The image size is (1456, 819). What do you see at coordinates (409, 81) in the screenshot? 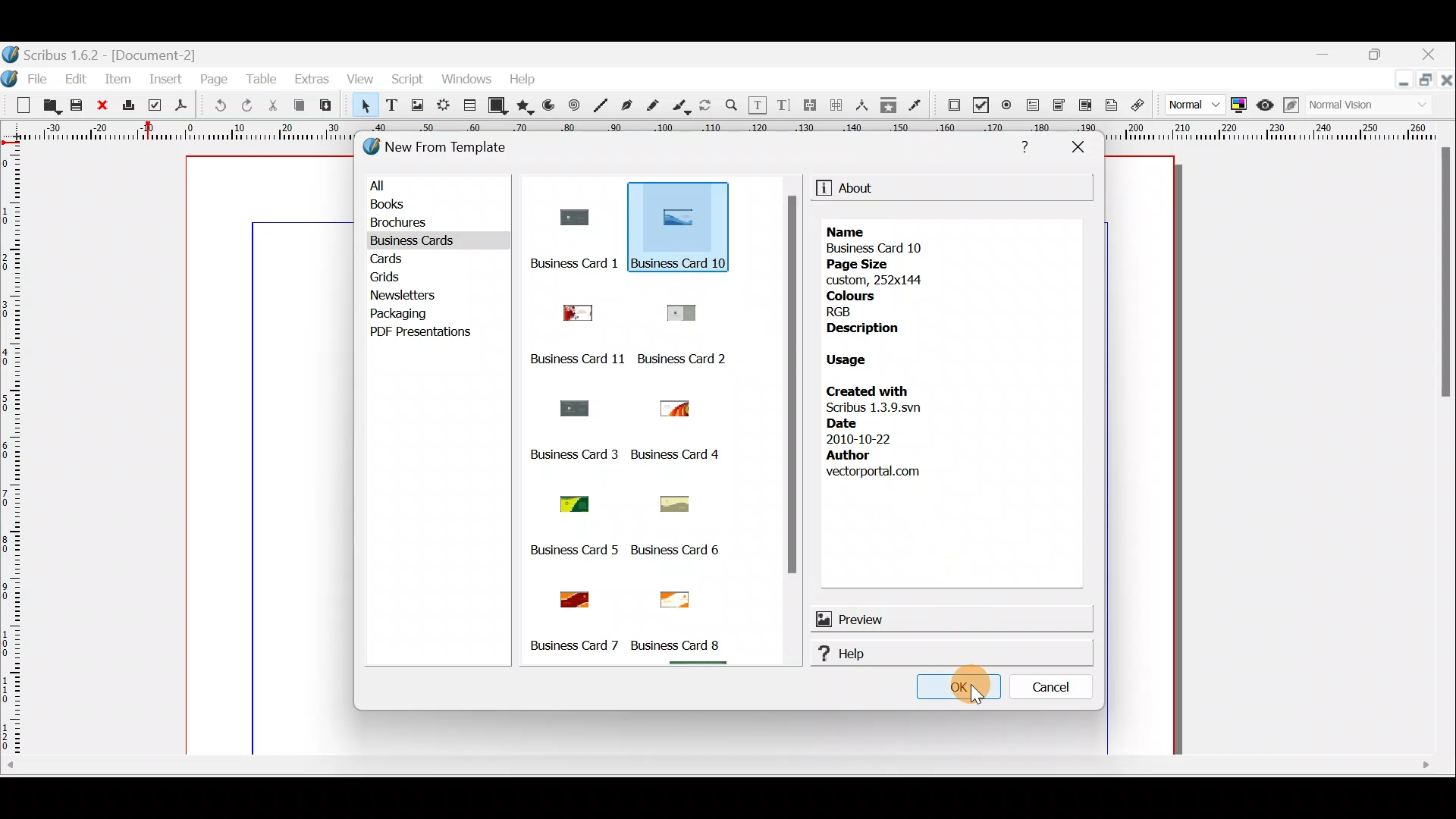
I see `Script` at bounding box center [409, 81].